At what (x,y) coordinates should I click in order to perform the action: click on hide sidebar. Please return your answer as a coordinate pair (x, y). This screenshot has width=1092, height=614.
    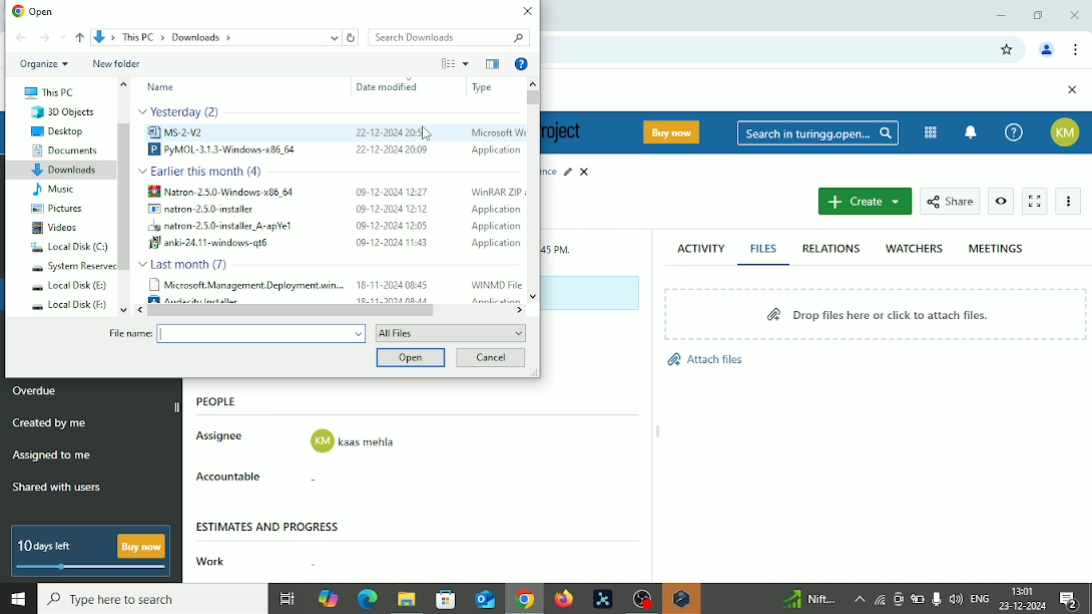
    Looking at the image, I should click on (178, 406).